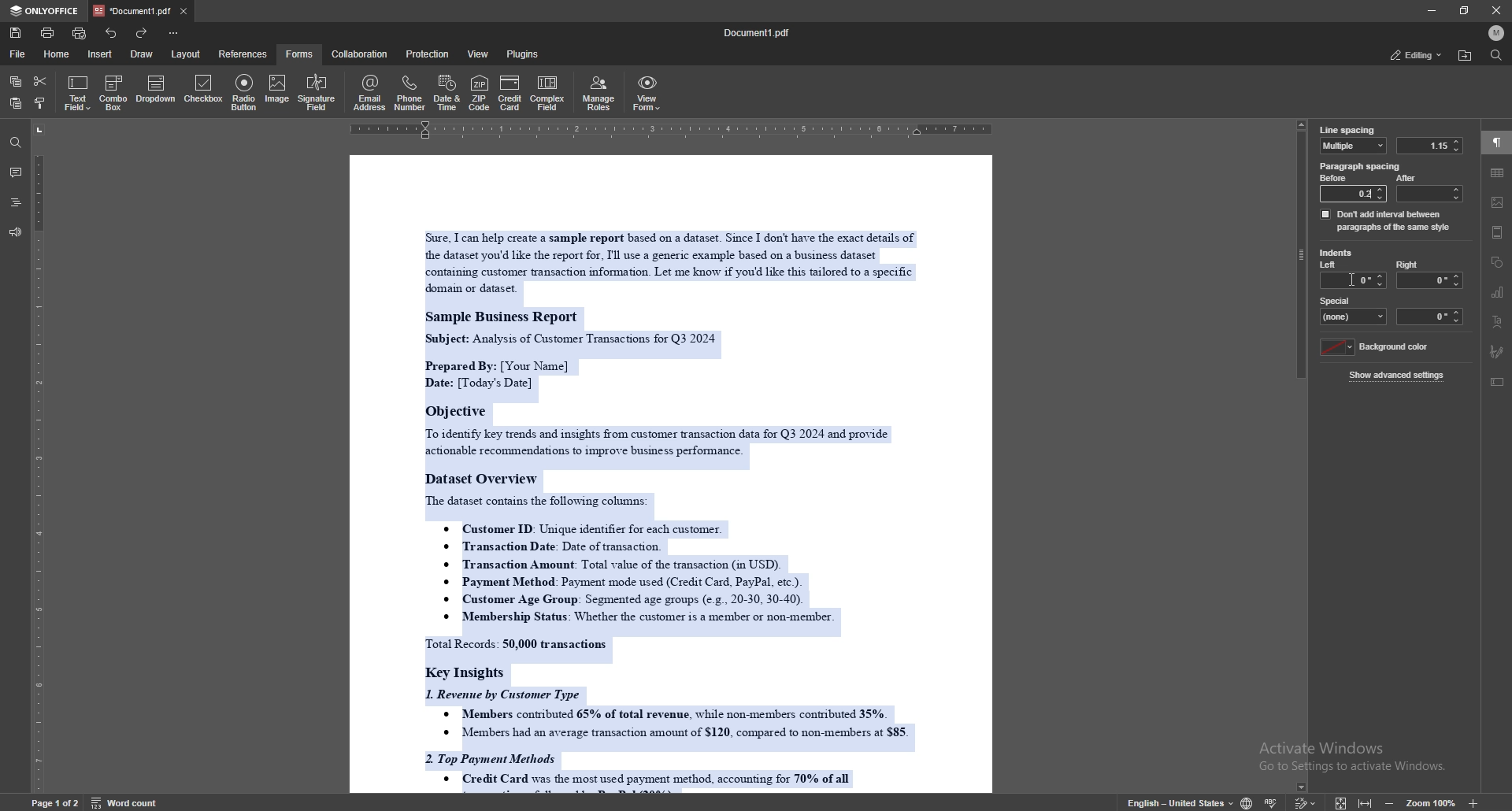  What do you see at coordinates (1496, 322) in the screenshot?
I see `text art` at bounding box center [1496, 322].